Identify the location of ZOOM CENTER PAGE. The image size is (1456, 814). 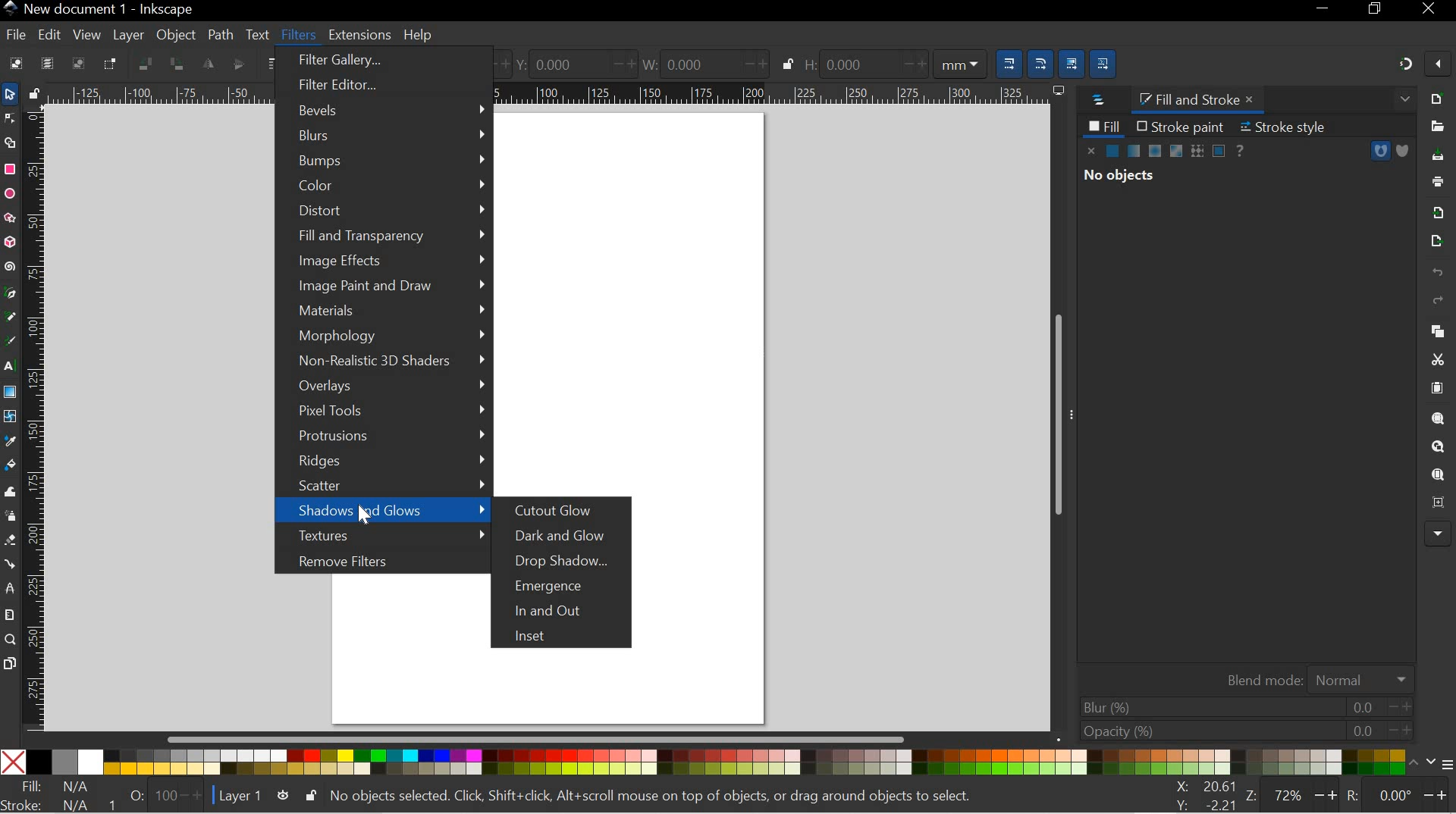
(1435, 503).